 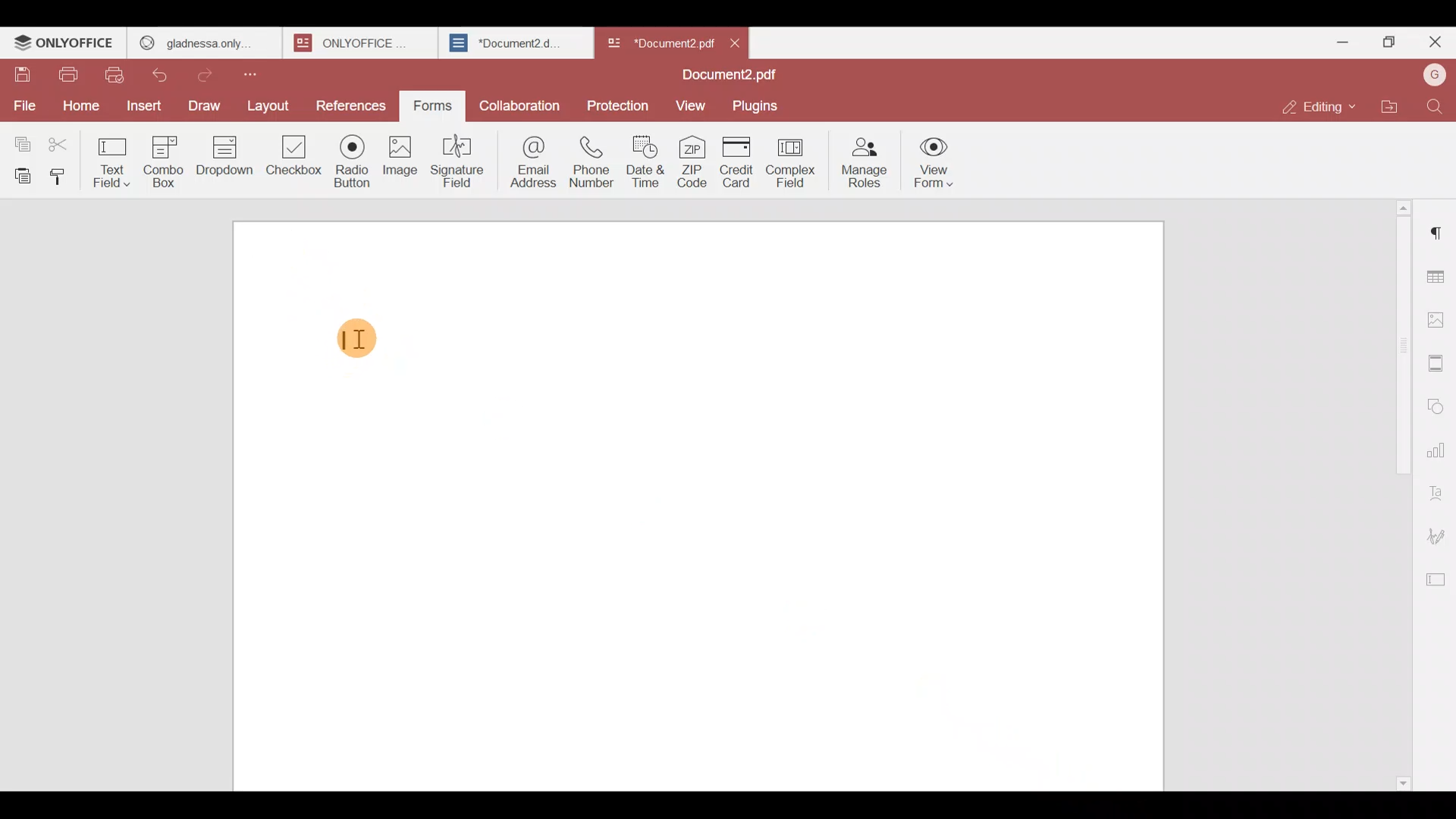 I want to click on Image settings, so click(x=1438, y=315).